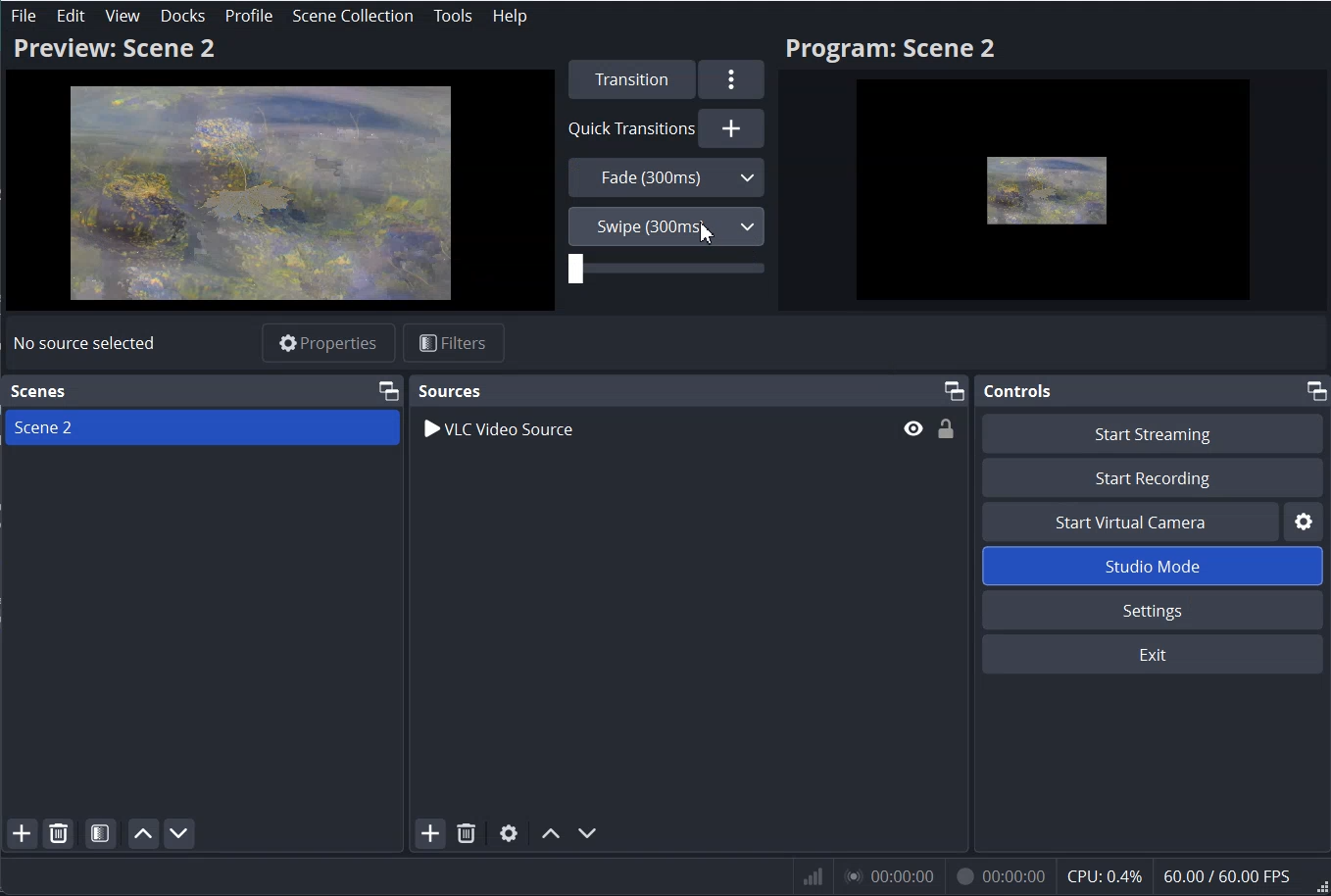 Image resolution: width=1331 pixels, height=896 pixels. What do you see at coordinates (1306, 521) in the screenshot?
I see `Settings` at bounding box center [1306, 521].